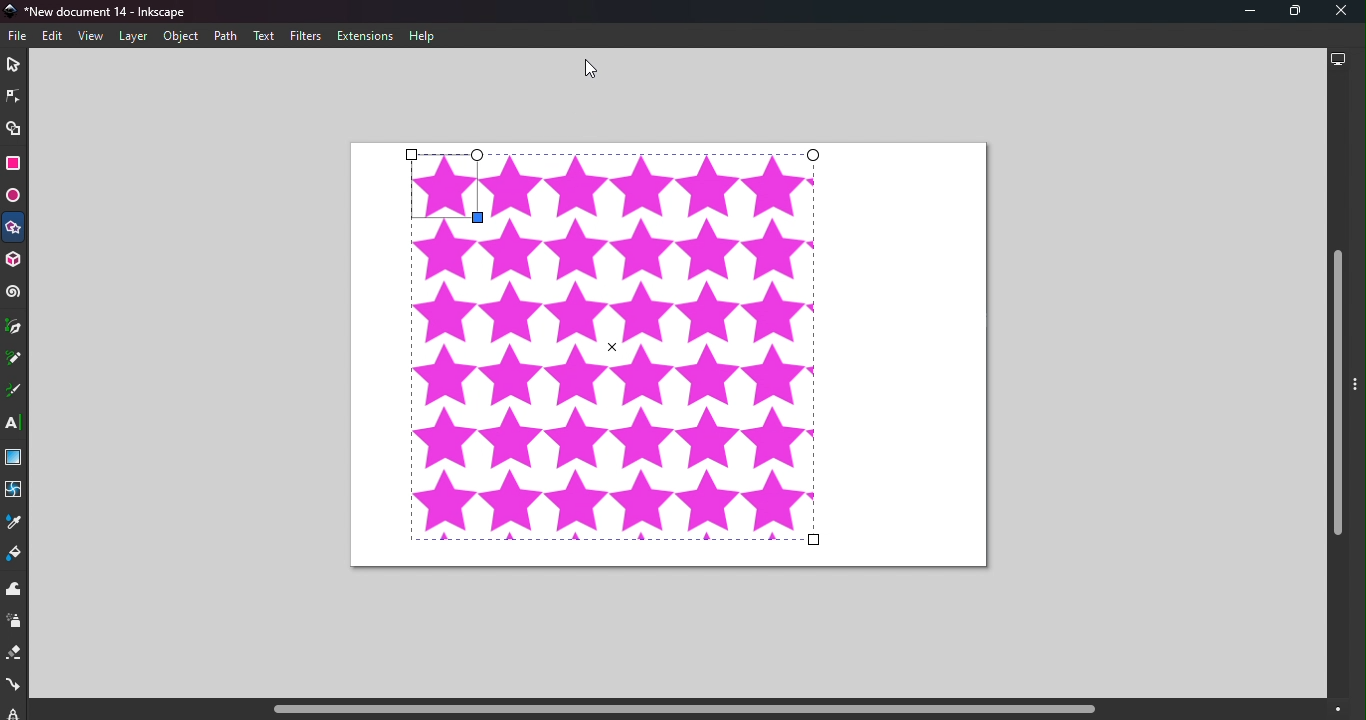 This screenshot has height=720, width=1366. I want to click on Pencil tool, so click(14, 360).